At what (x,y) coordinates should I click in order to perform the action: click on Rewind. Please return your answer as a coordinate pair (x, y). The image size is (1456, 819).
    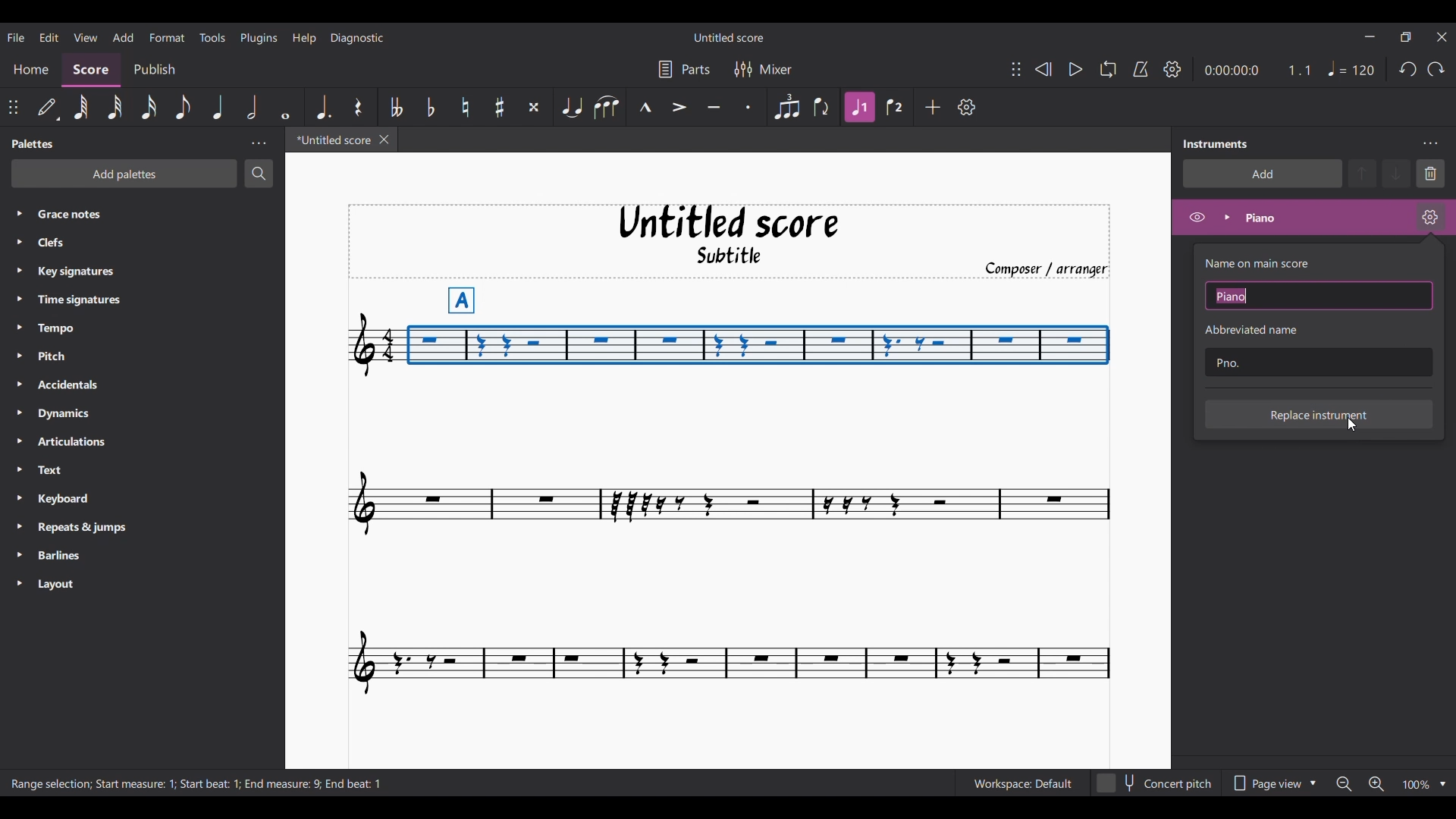
    Looking at the image, I should click on (1043, 69).